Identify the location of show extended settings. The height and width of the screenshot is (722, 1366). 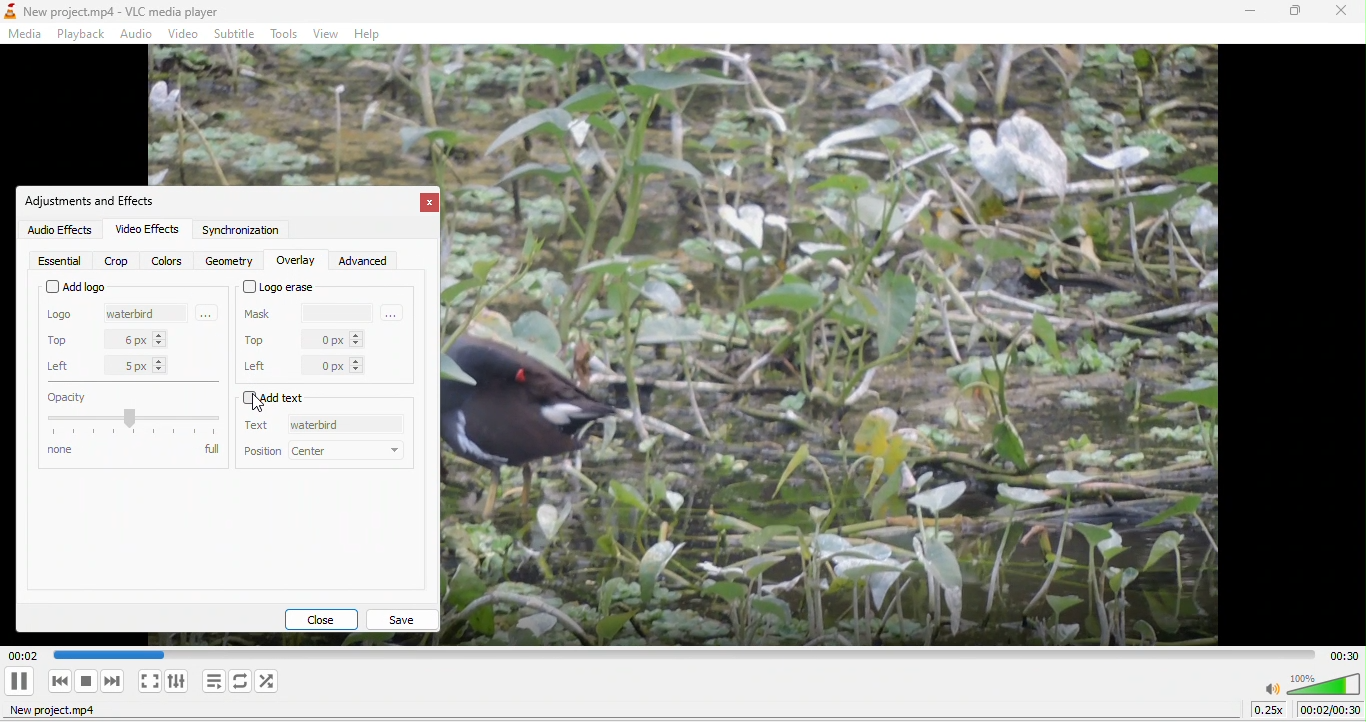
(180, 681).